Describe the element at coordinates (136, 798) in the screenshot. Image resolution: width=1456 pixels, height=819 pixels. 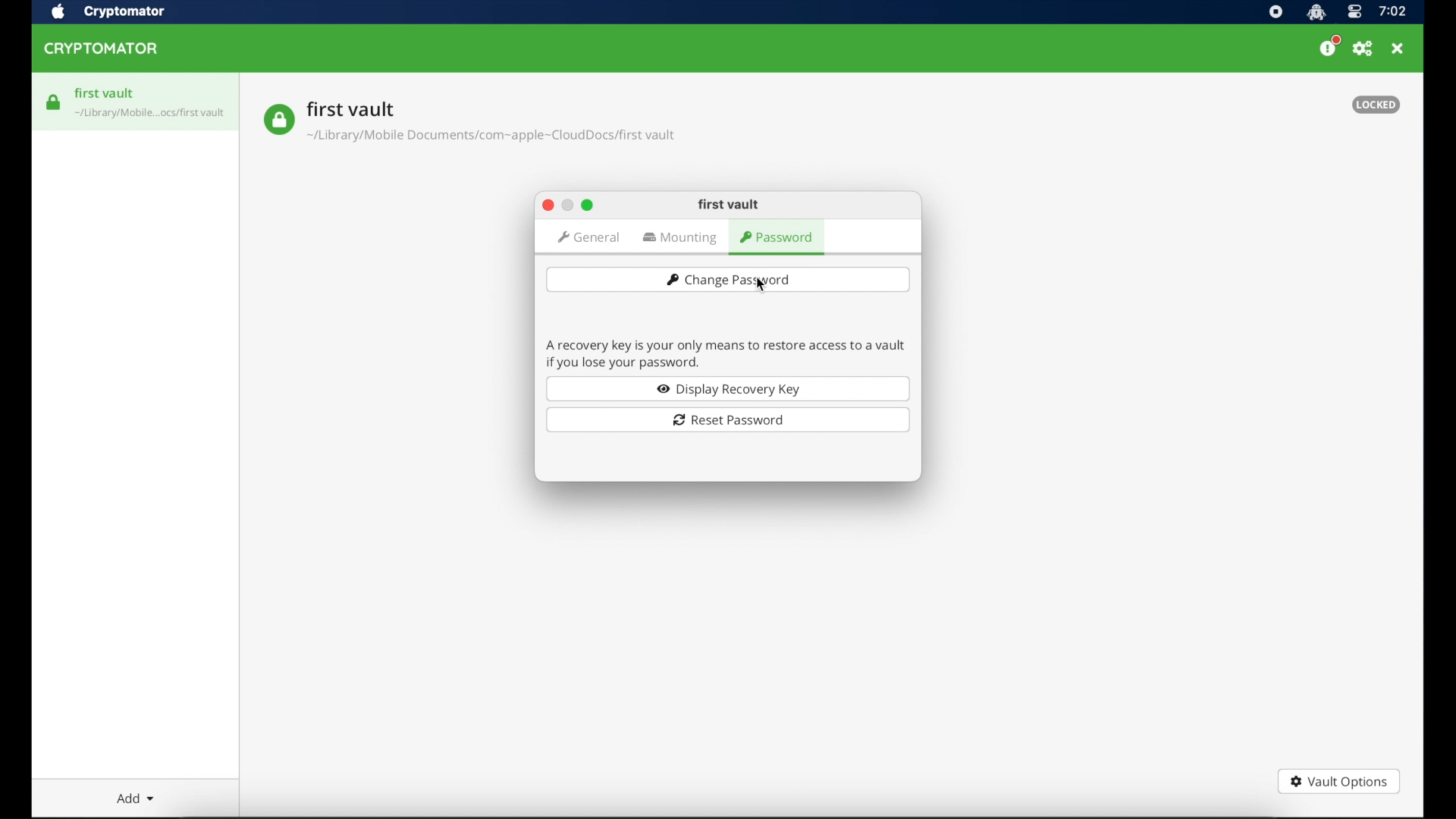
I see `add dropdown` at that location.